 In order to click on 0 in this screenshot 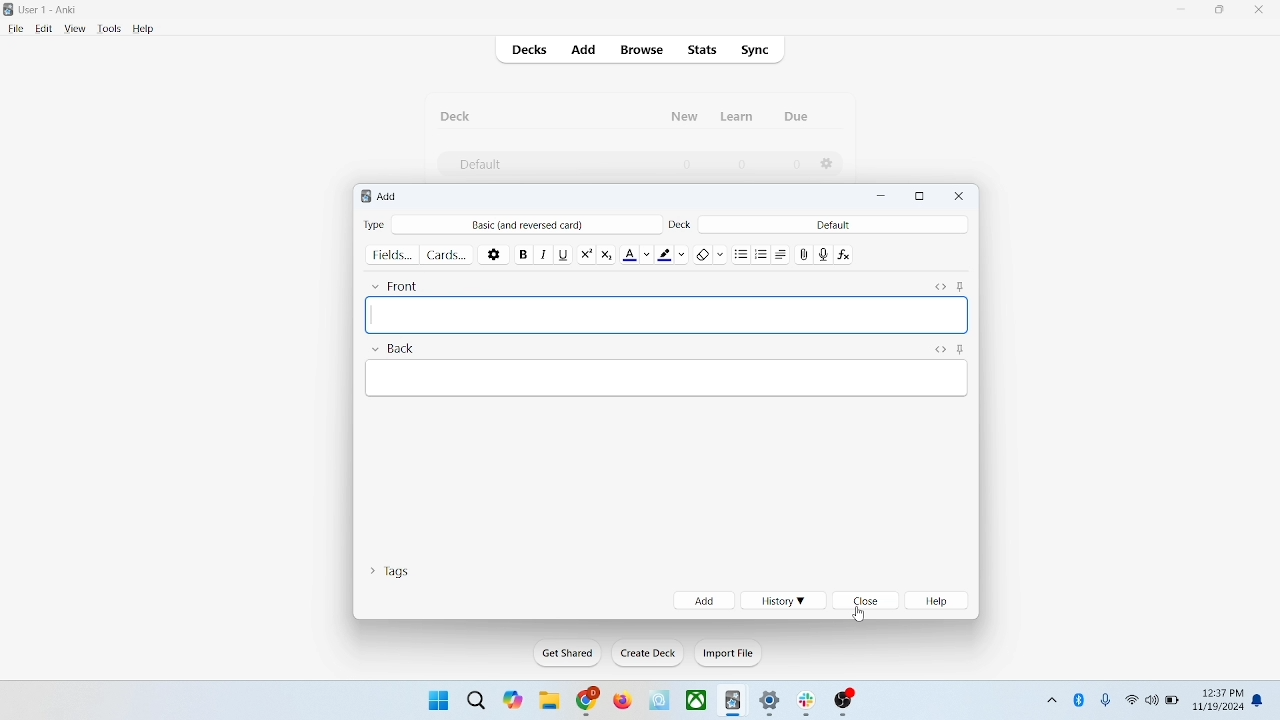, I will do `click(688, 164)`.